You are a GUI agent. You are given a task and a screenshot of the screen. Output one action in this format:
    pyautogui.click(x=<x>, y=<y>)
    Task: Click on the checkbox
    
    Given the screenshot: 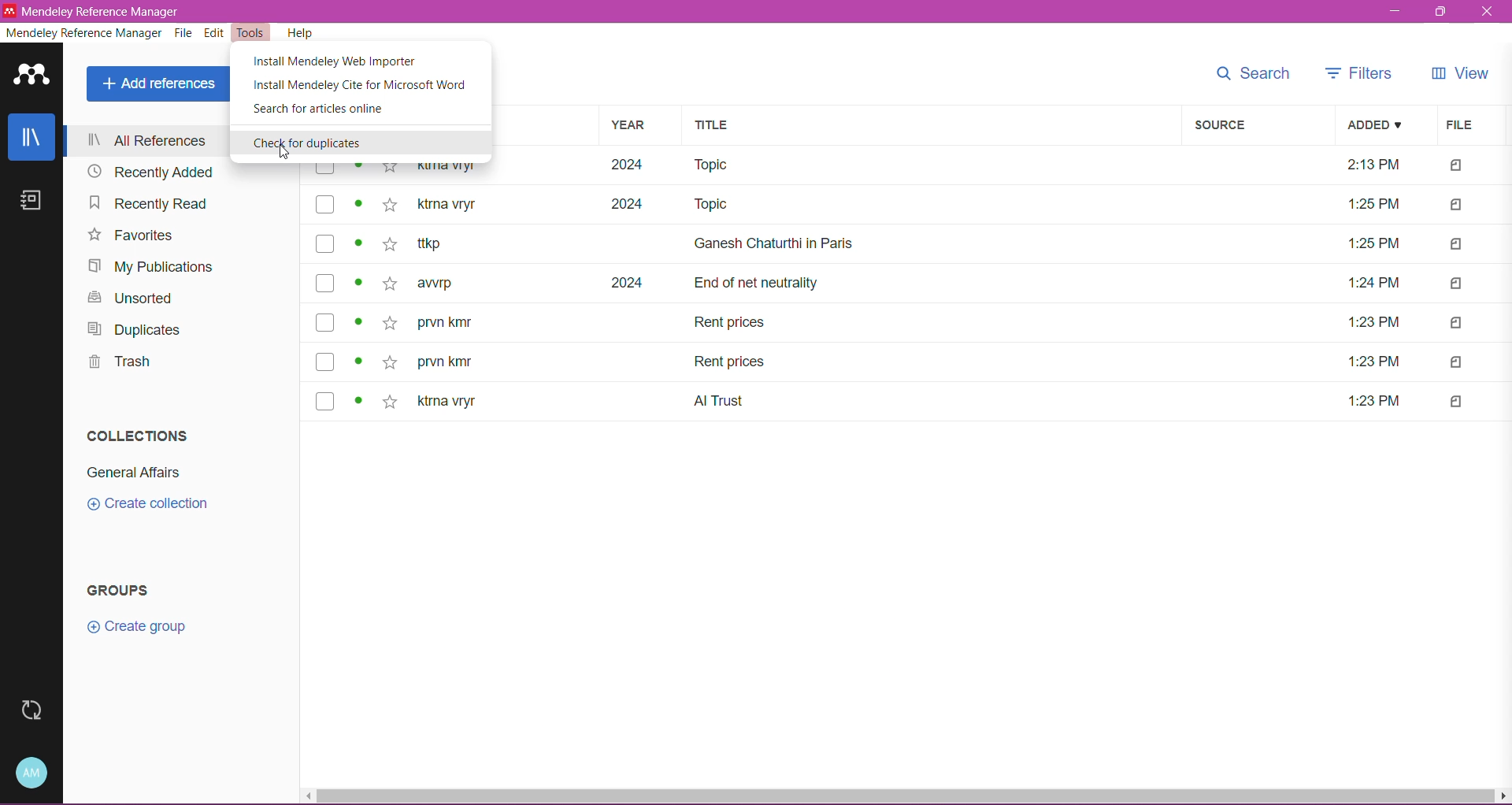 What is the action you would take?
    pyautogui.click(x=325, y=401)
    